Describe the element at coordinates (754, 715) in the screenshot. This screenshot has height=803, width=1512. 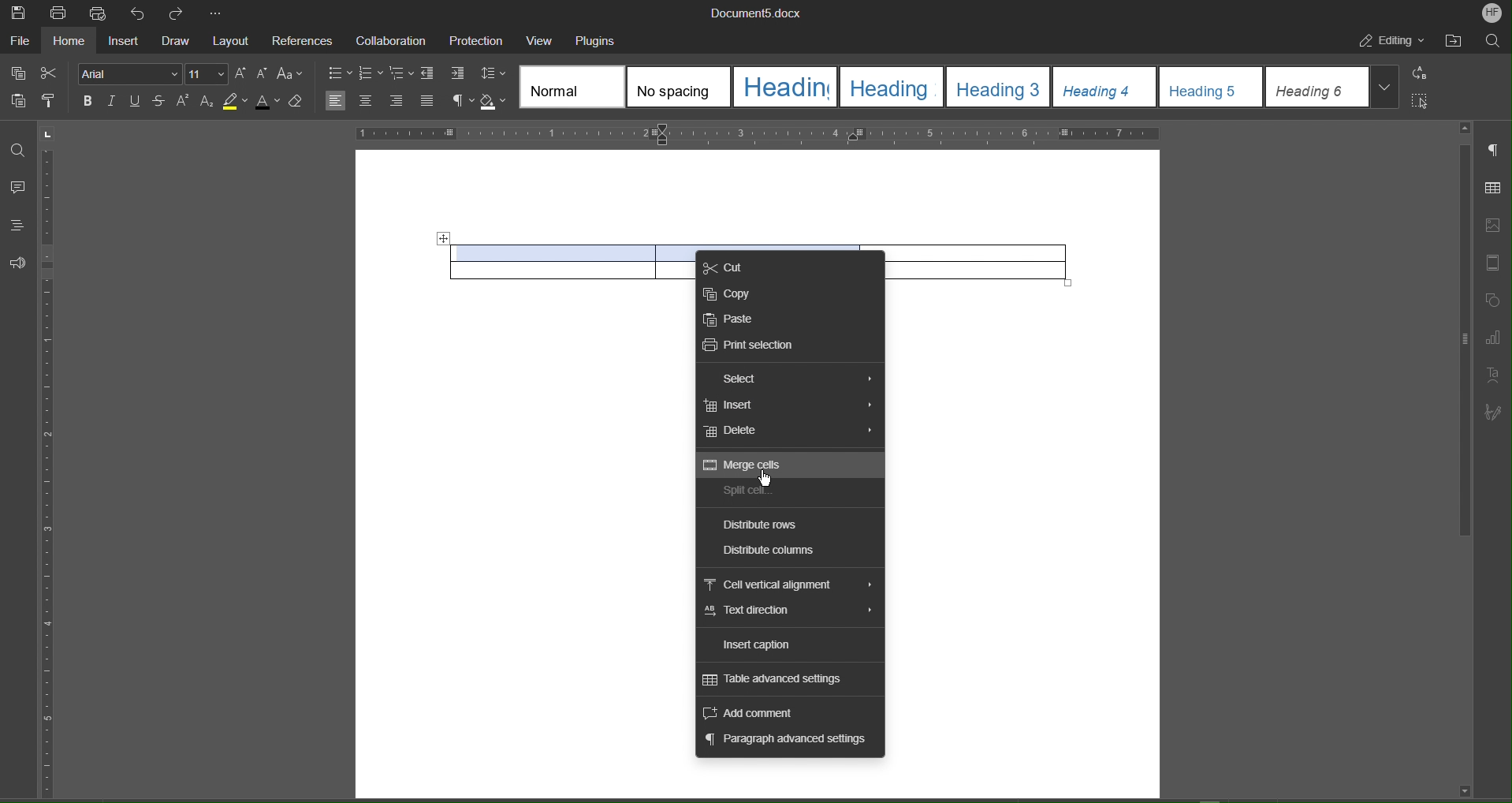
I see `Add comment` at that location.